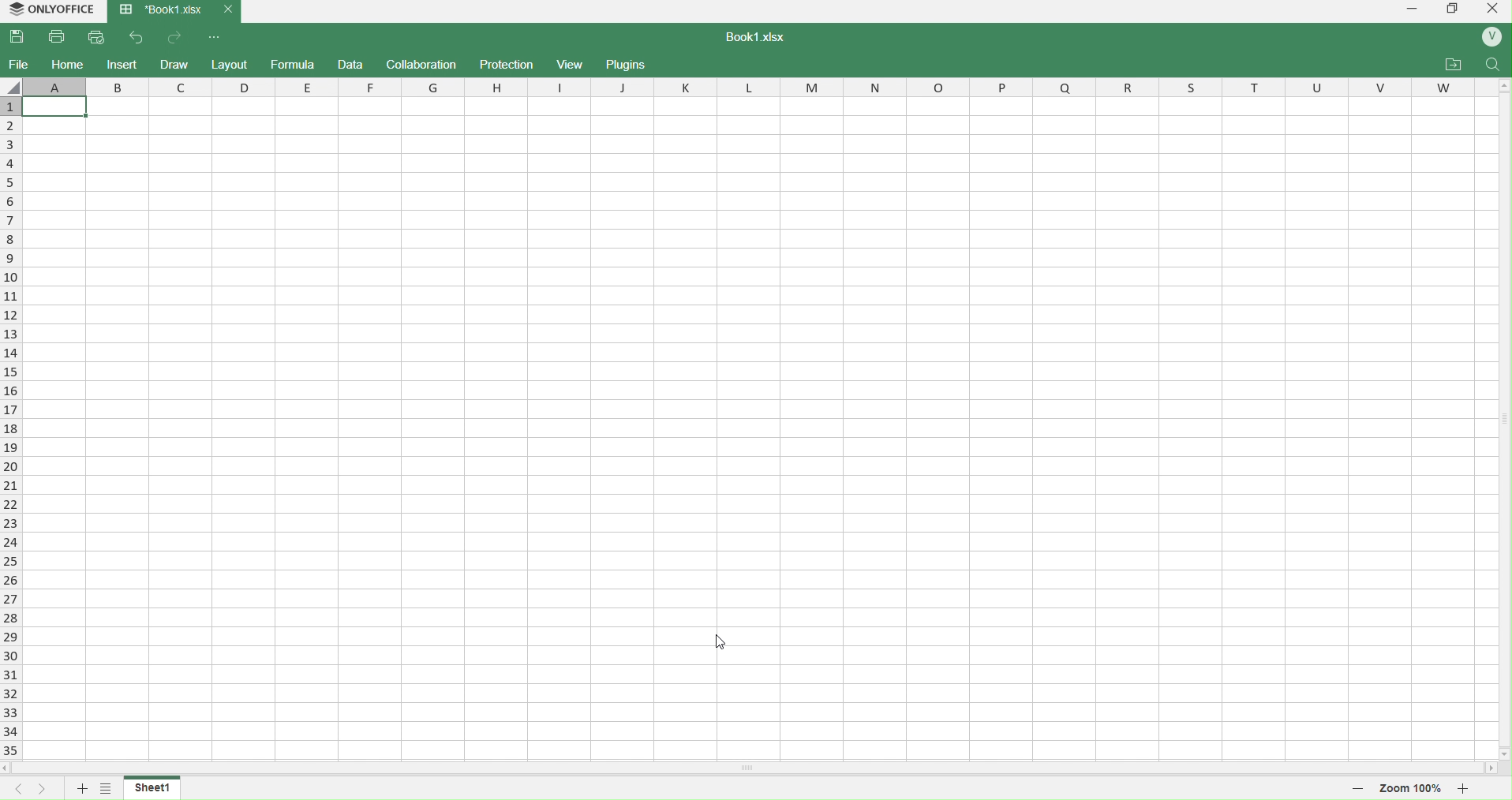  What do you see at coordinates (1357, 787) in the screenshot?
I see `decrease zoom ` at bounding box center [1357, 787].